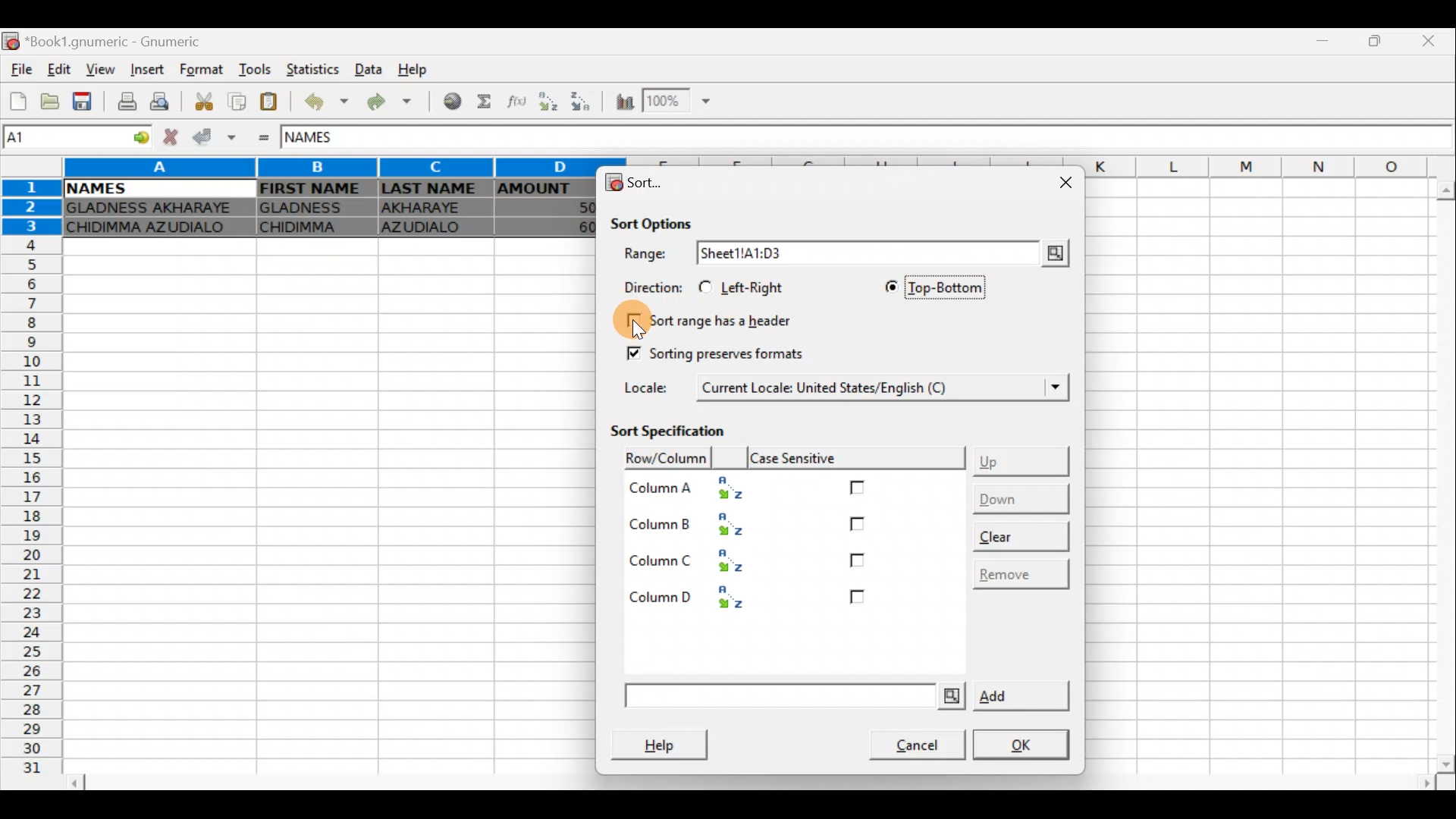 The width and height of the screenshot is (1456, 819). I want to click on Locale, so click(651, 387).